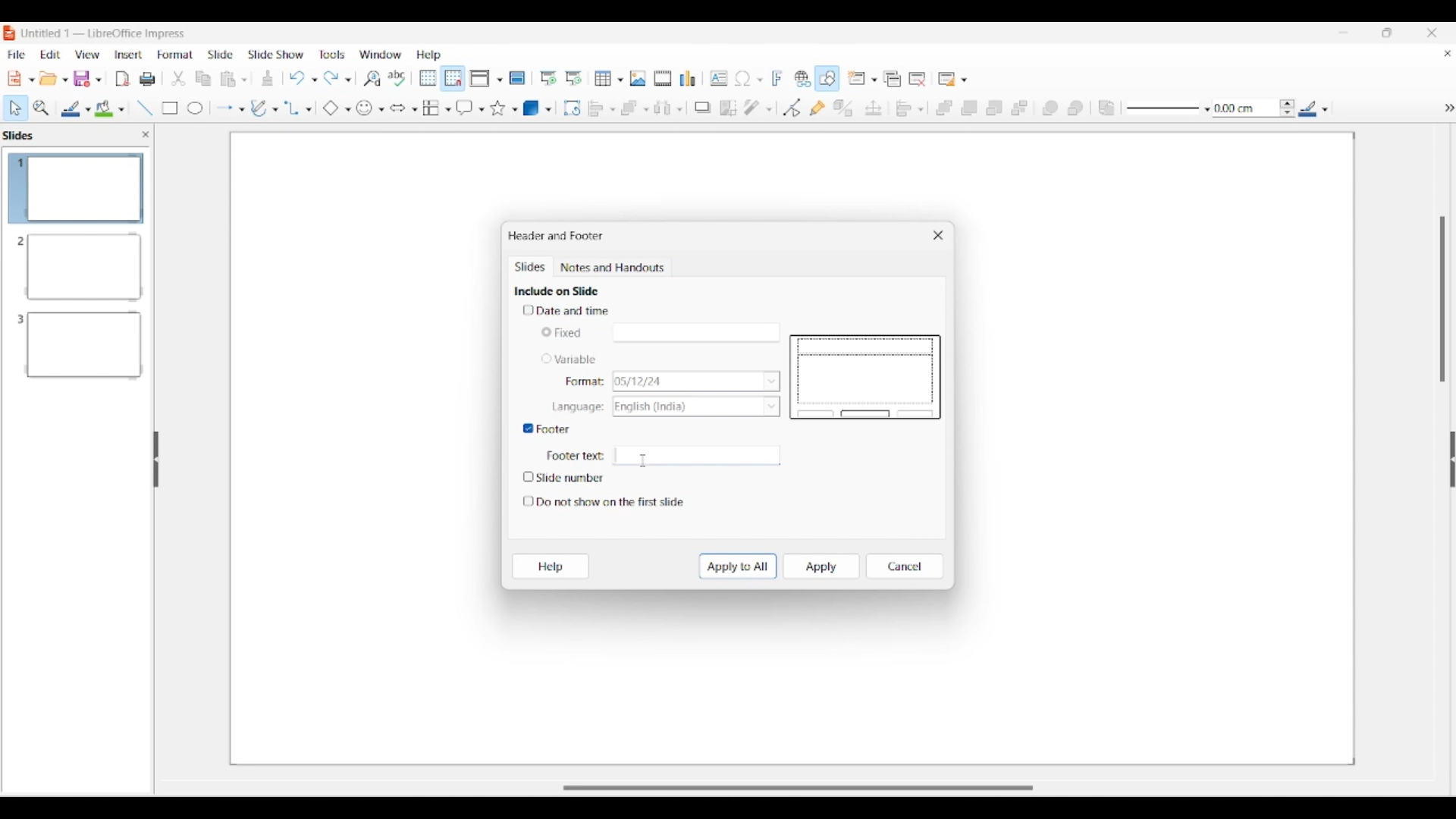 The height and width of the screenshot is (819, 1456). Describe the element at coordinates (298, 108) in the screenshot. I see `Connector options` at that location.